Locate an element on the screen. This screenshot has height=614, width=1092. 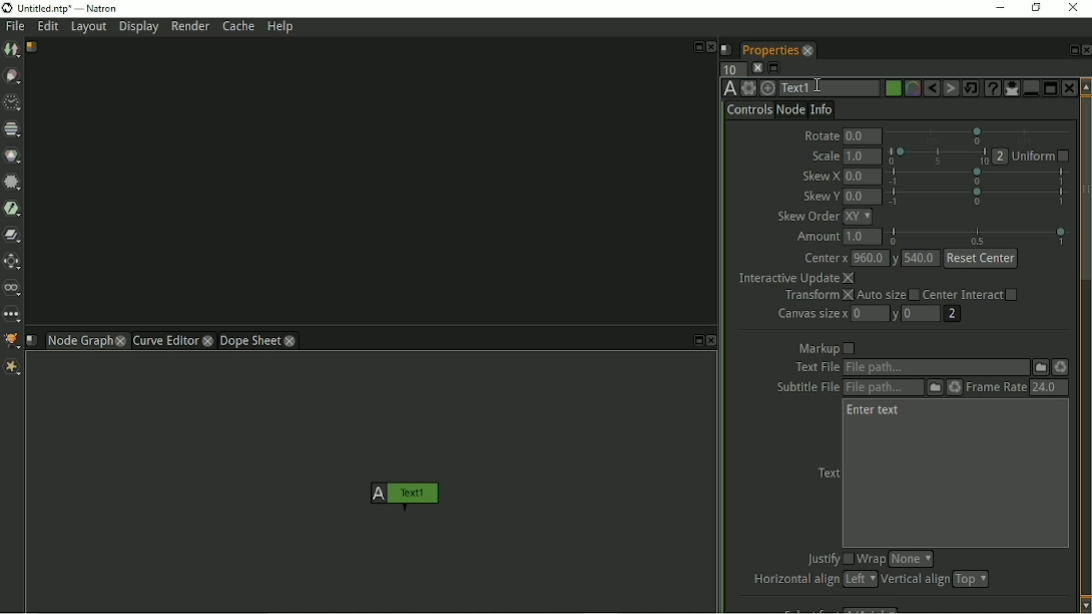
selection bar is located at coordinates (980, 196).